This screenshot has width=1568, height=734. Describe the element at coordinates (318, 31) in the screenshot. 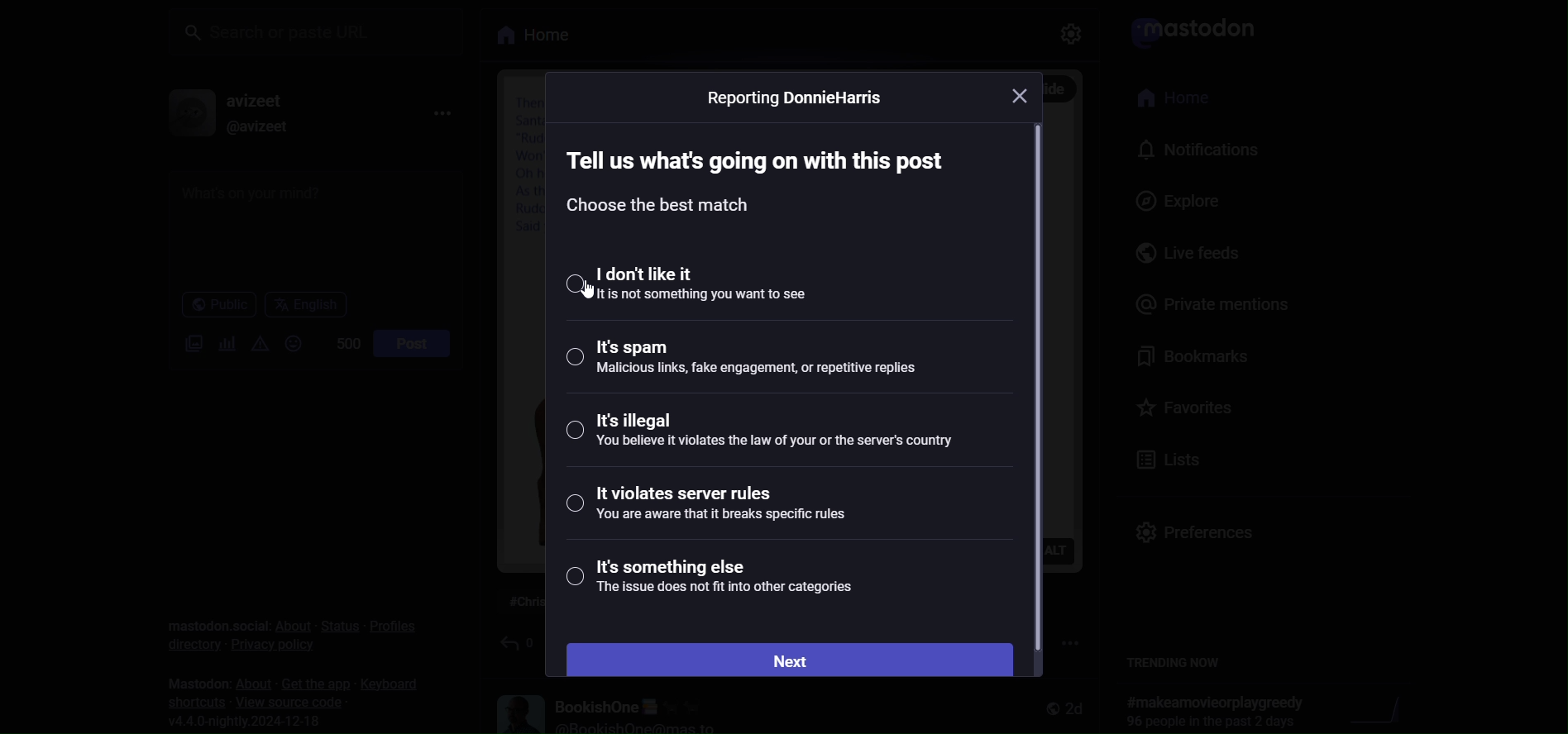

I see `search` at that location.